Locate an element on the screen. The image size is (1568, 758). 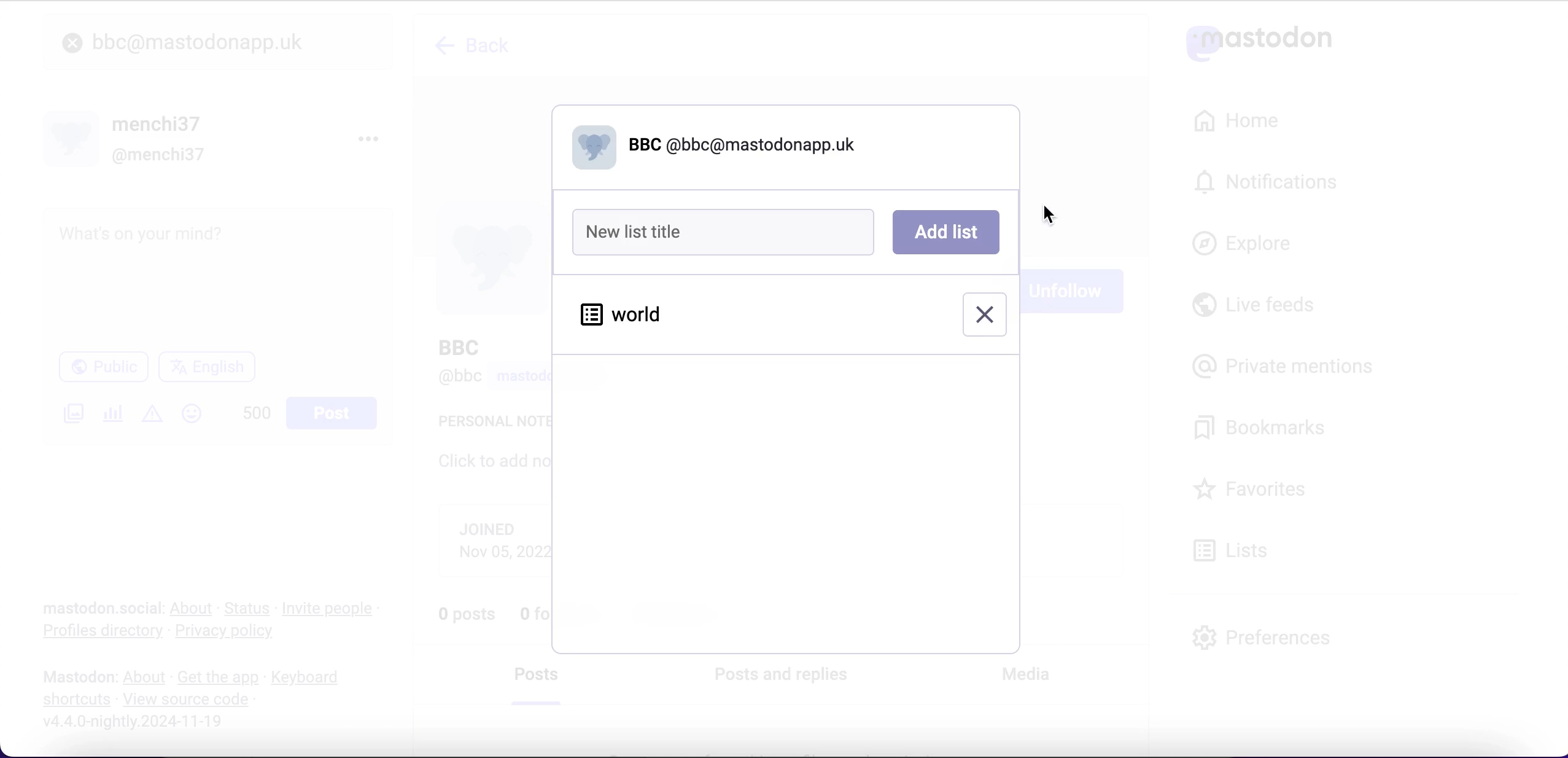
post button is located at coordinates (335, 413).